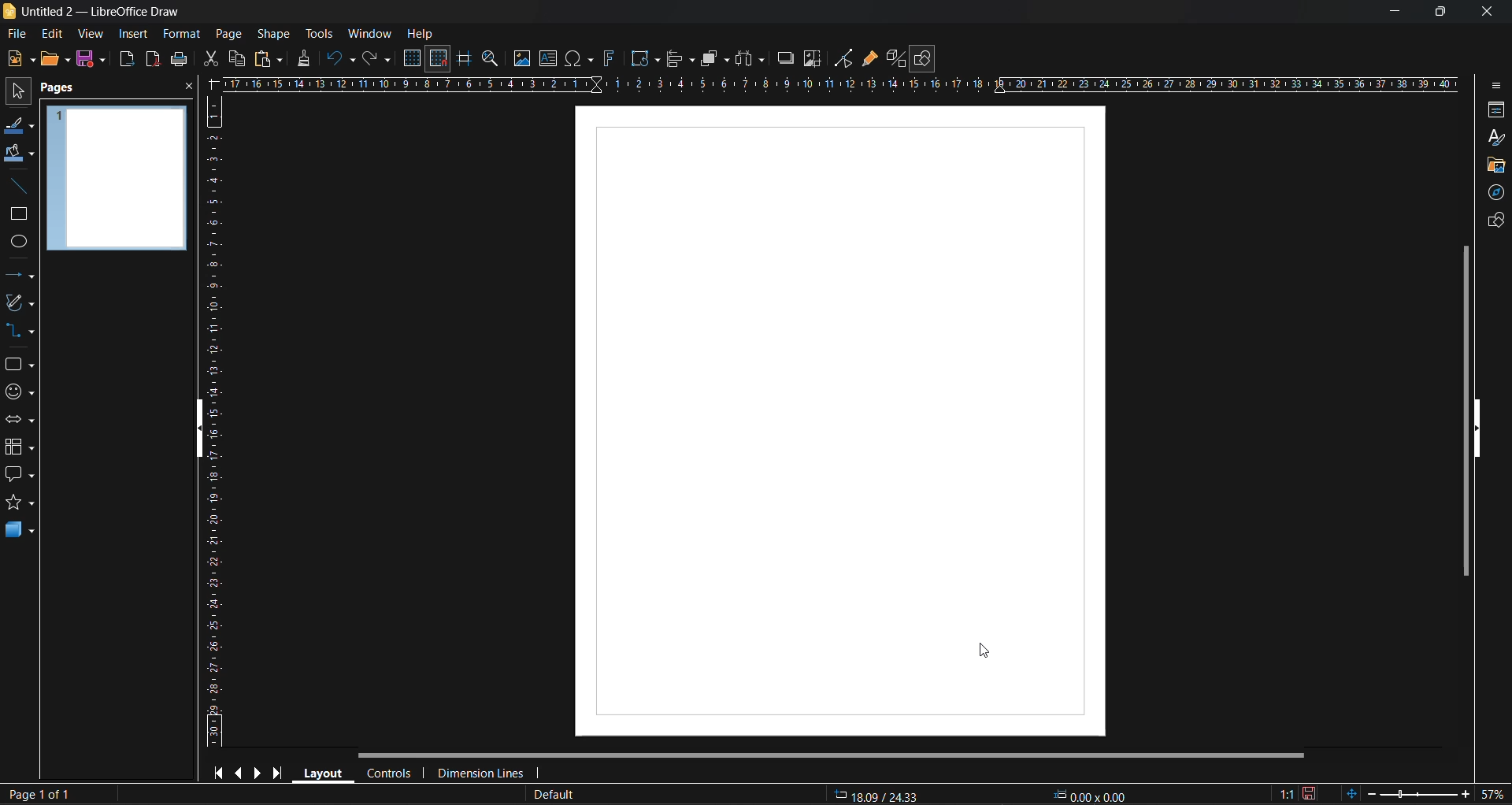 This screenshot has height=805, width=1512. What do you see at coordinates (845, 83) in the screenshot?
I see `horizontal ruler` at bounding box center [845, 83].